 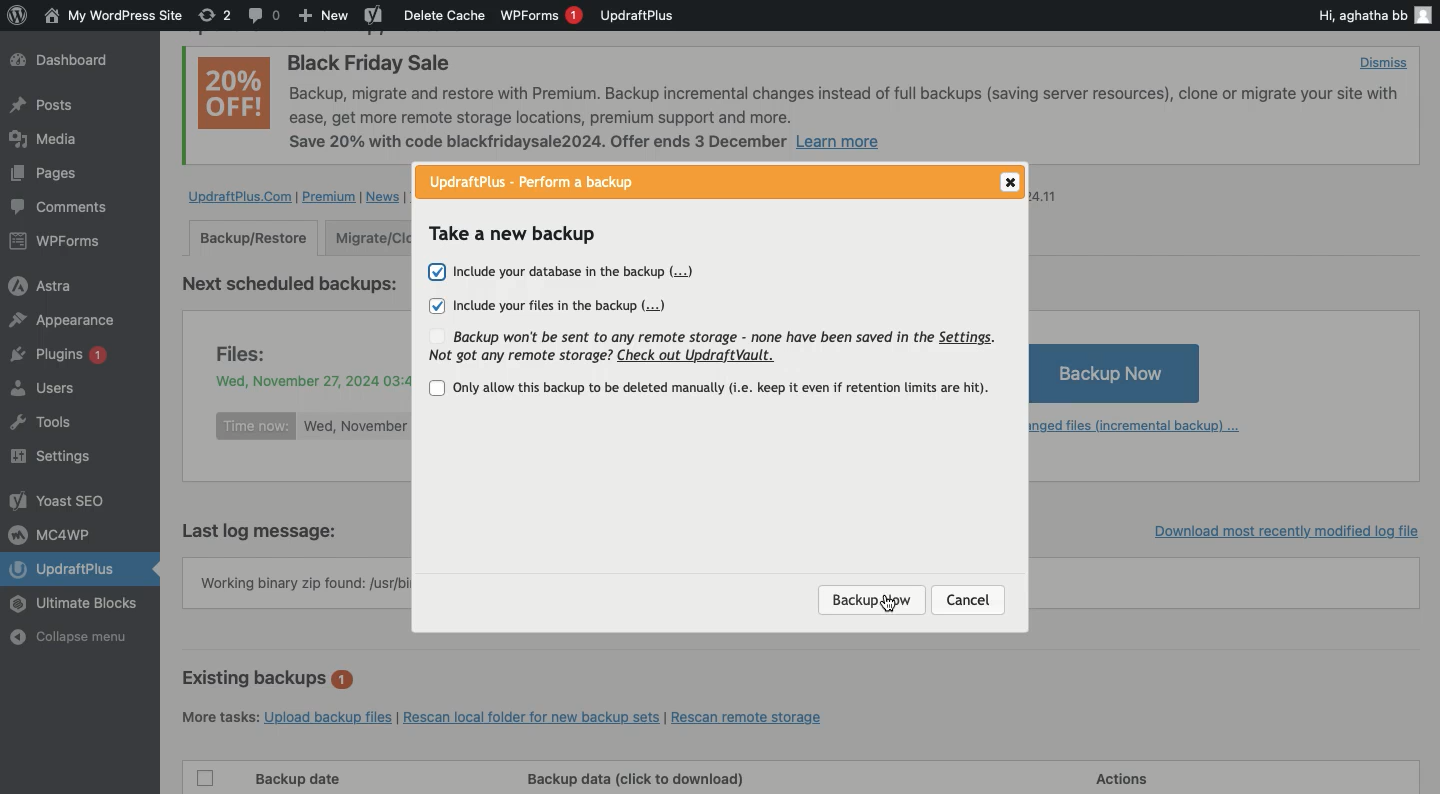 I want to click on Add changed files (incremental backup)..., so click(x=1140, y=429).